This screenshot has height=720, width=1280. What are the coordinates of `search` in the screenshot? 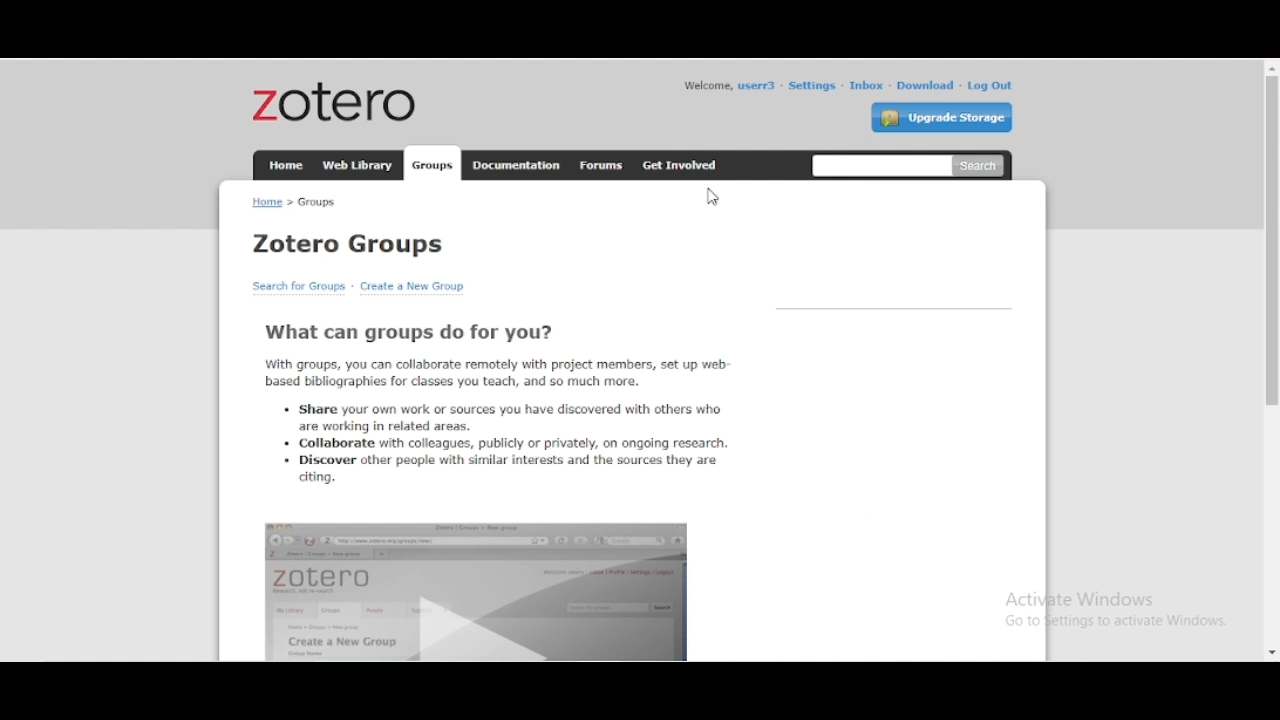 It's located at (906, 166).